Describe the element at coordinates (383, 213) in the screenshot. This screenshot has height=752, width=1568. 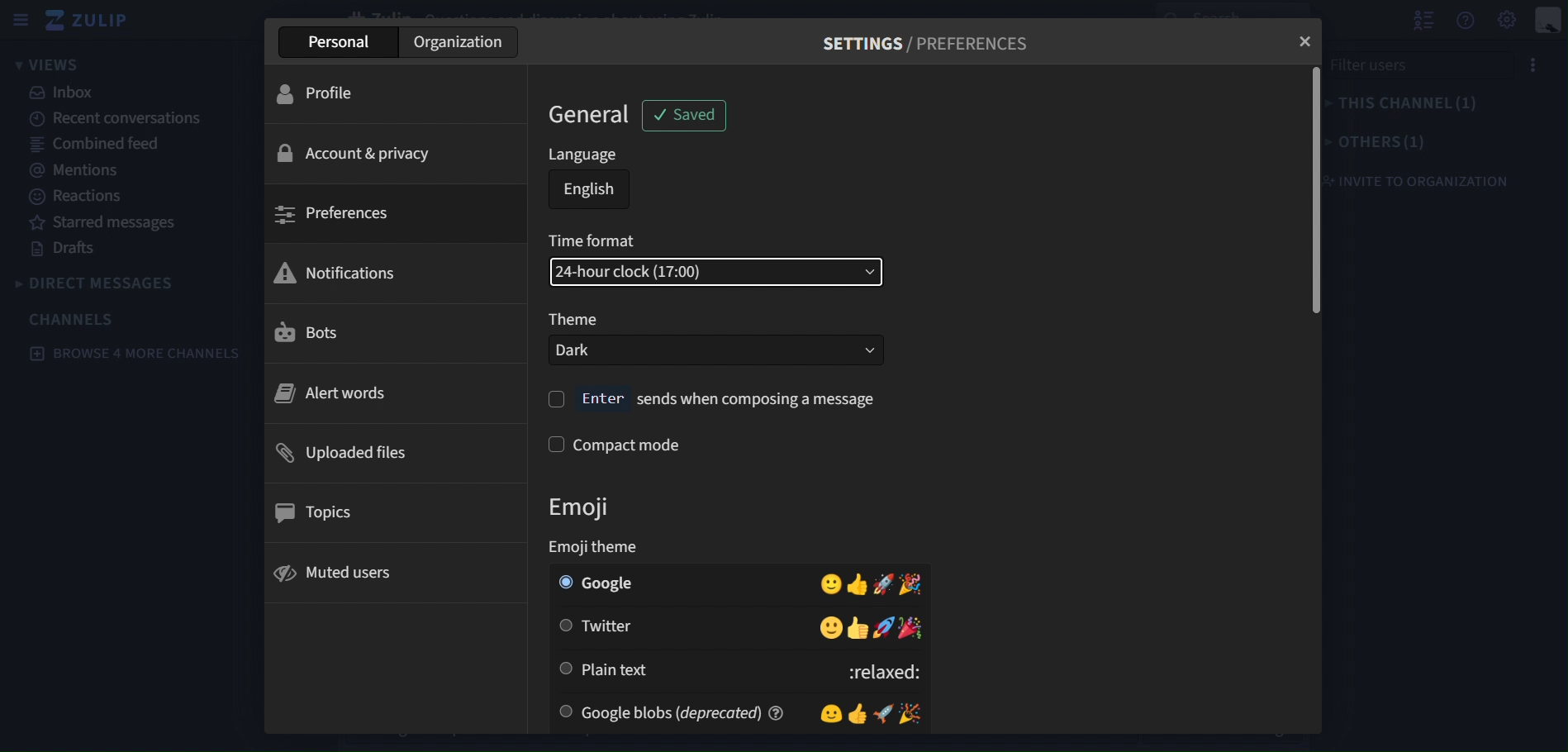
I see `preferences` at that location.